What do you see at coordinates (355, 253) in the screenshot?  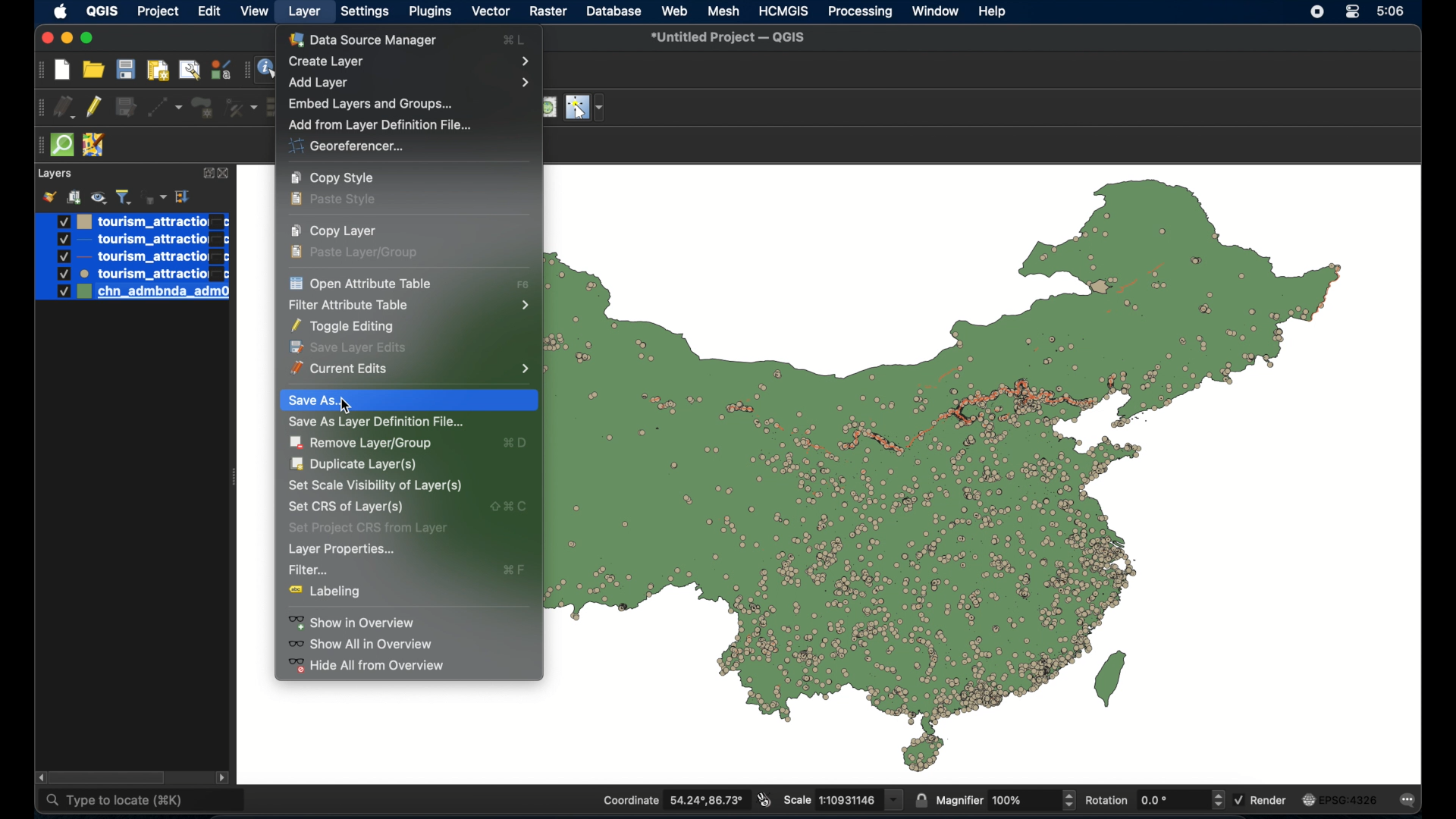 I see `paste layer/group` at bounding box center [355, 253].